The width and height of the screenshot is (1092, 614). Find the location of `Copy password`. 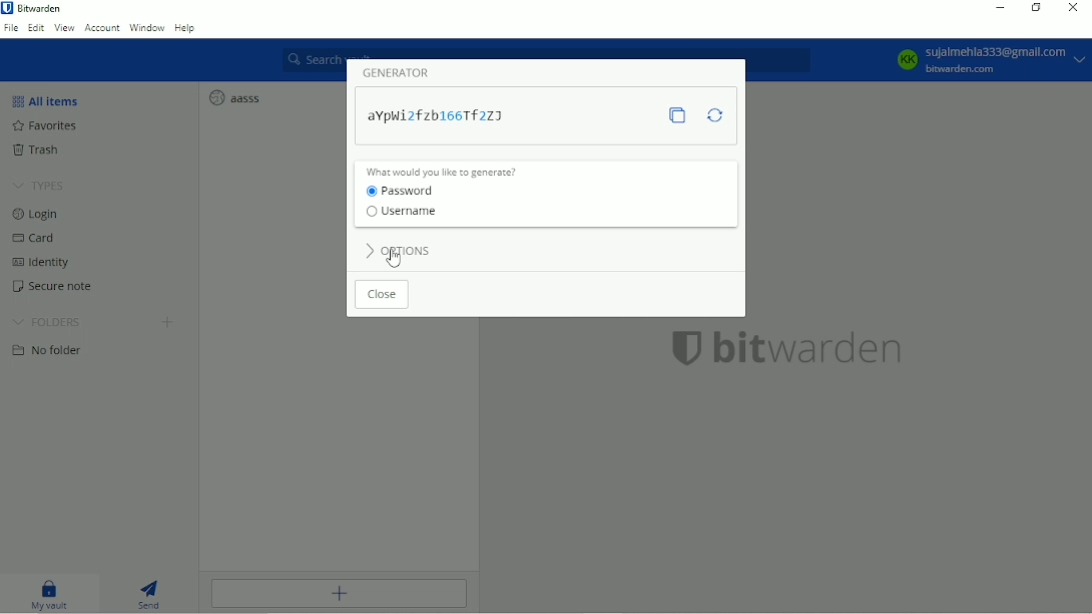

Copy password is located at coordinates (676, 117).